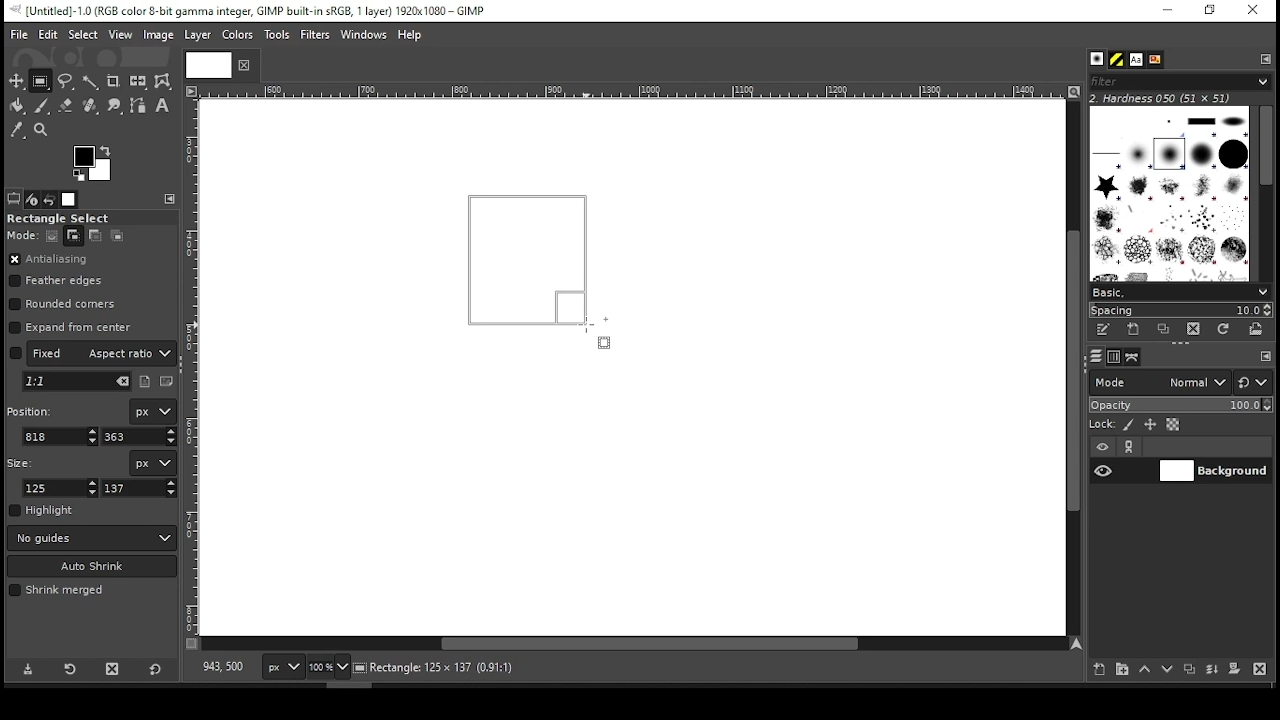  What do you see at coordinates (1182, 291) in the screenshot?
I see `select brush preset` at bounding box center [1182, 291].